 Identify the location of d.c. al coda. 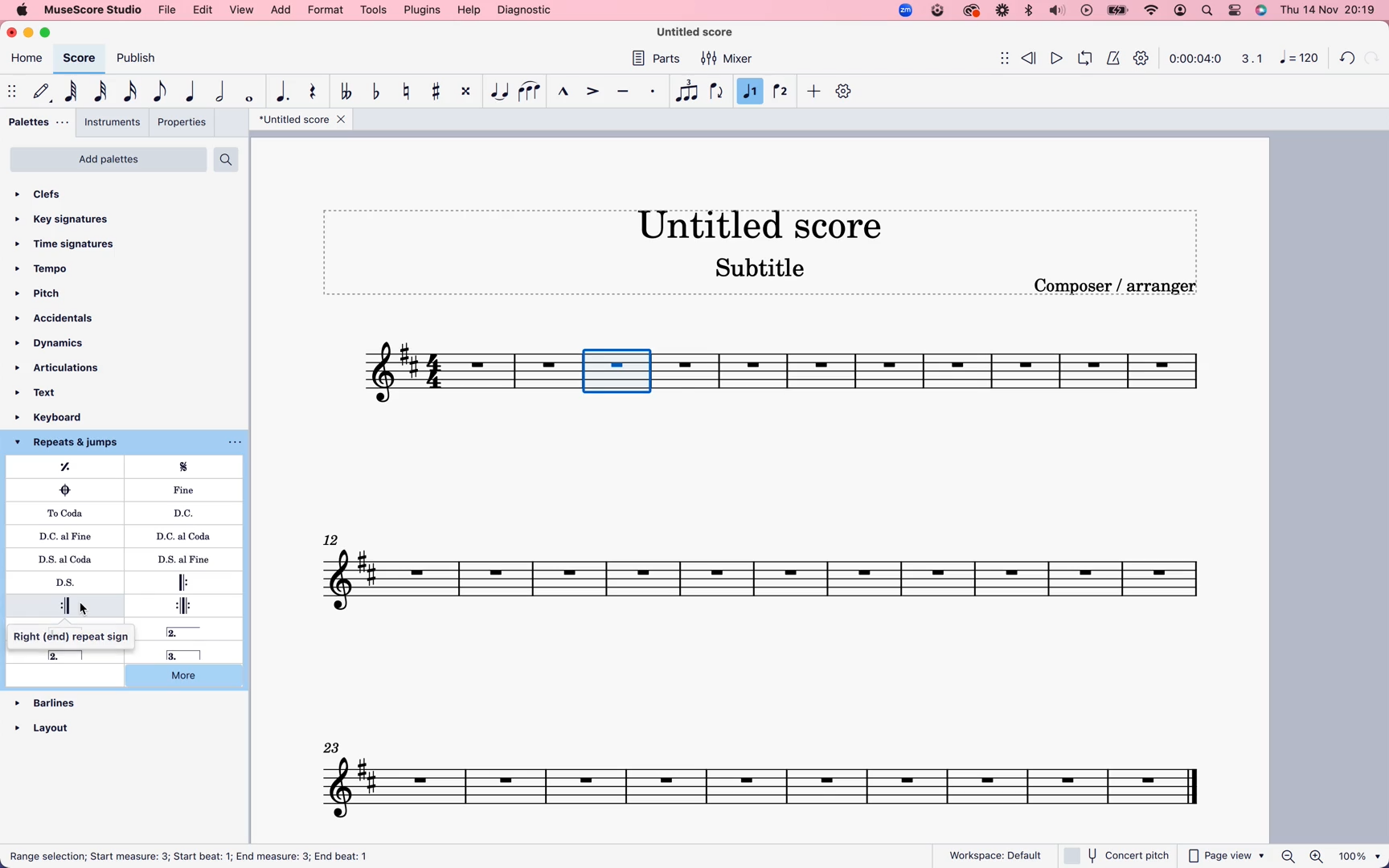
(178, 538).